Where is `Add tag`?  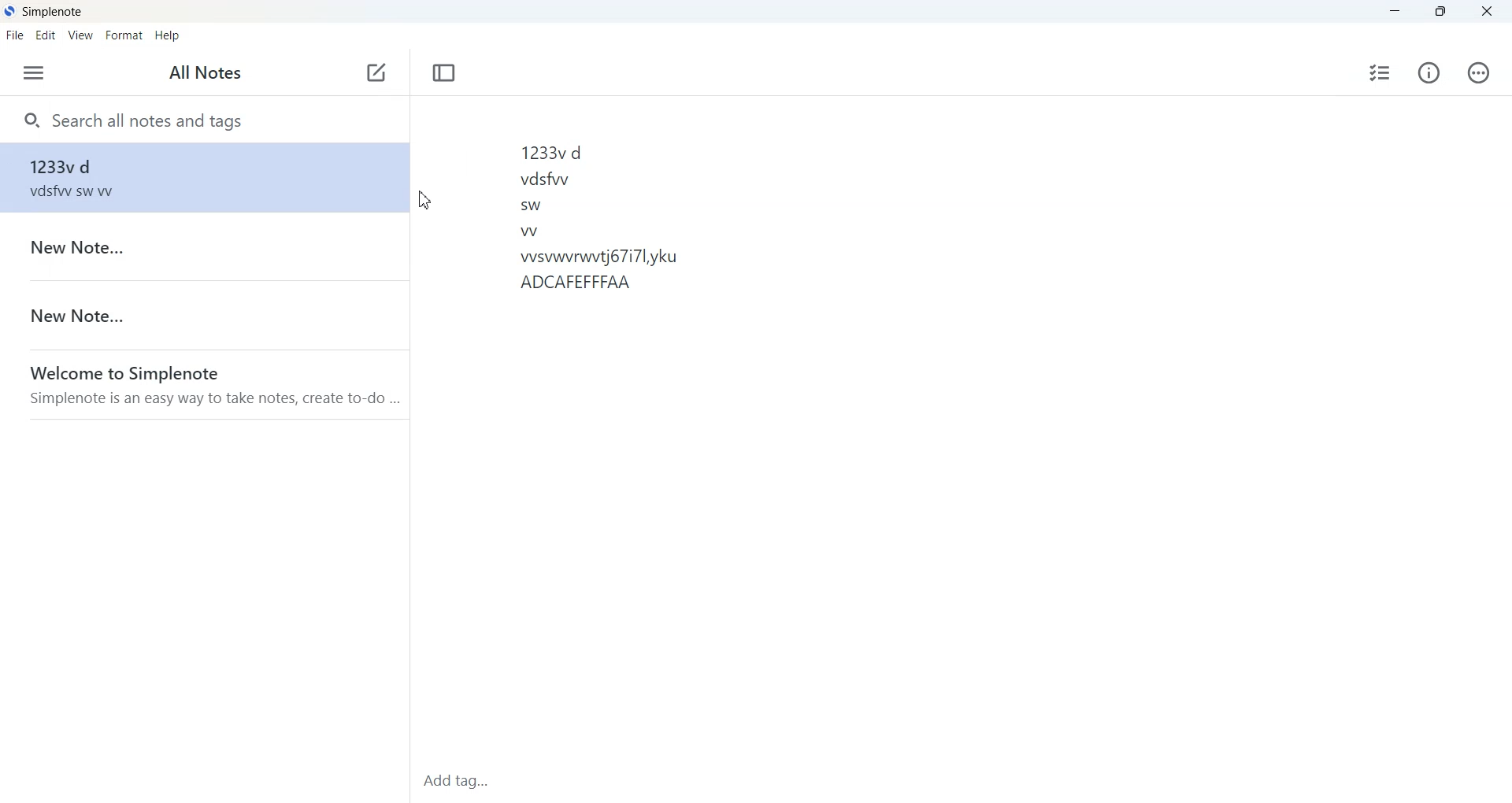
Add tag is located at coordinates (506, 781).